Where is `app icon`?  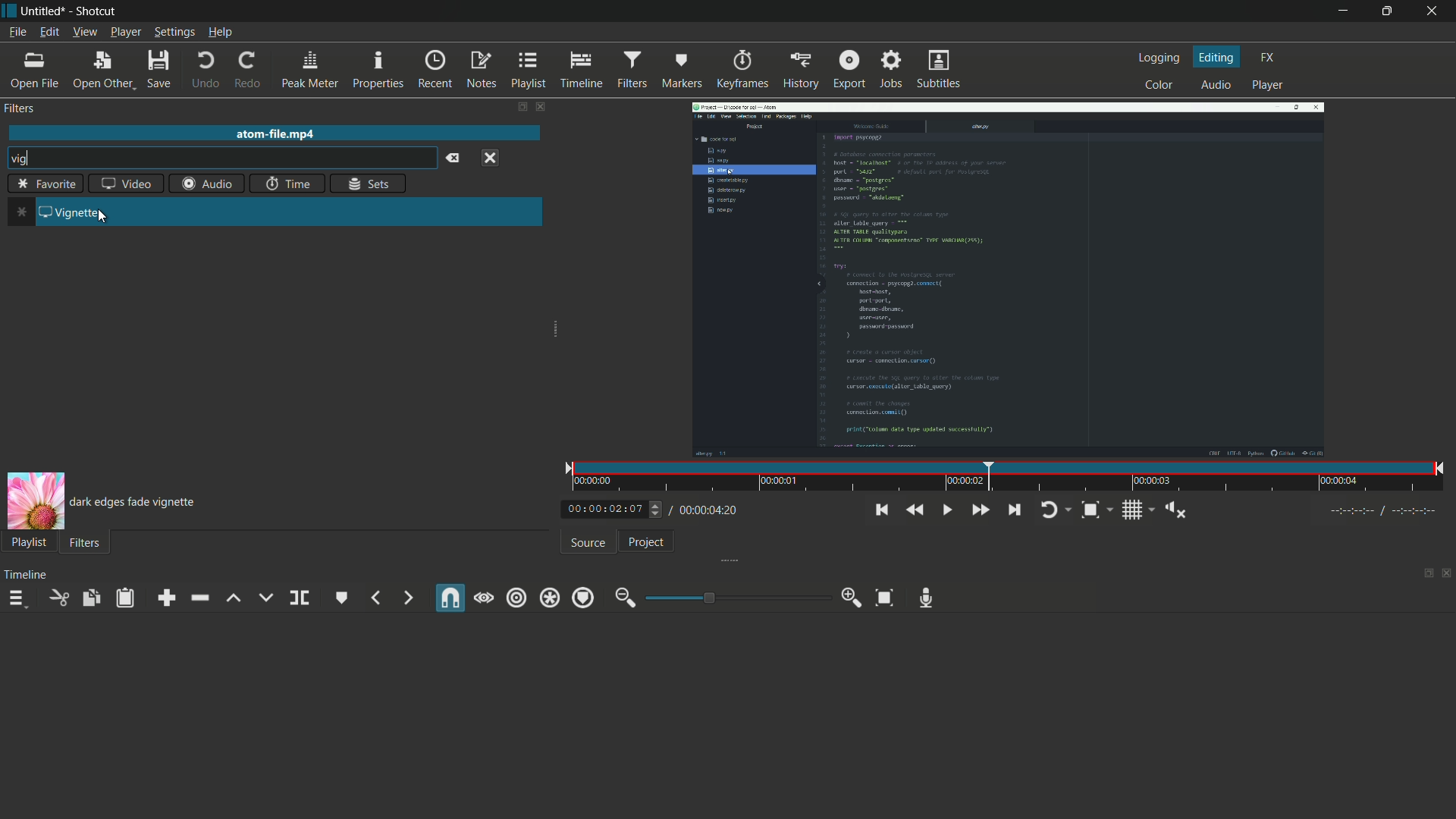 app icon is located at coordinates (11, 13).